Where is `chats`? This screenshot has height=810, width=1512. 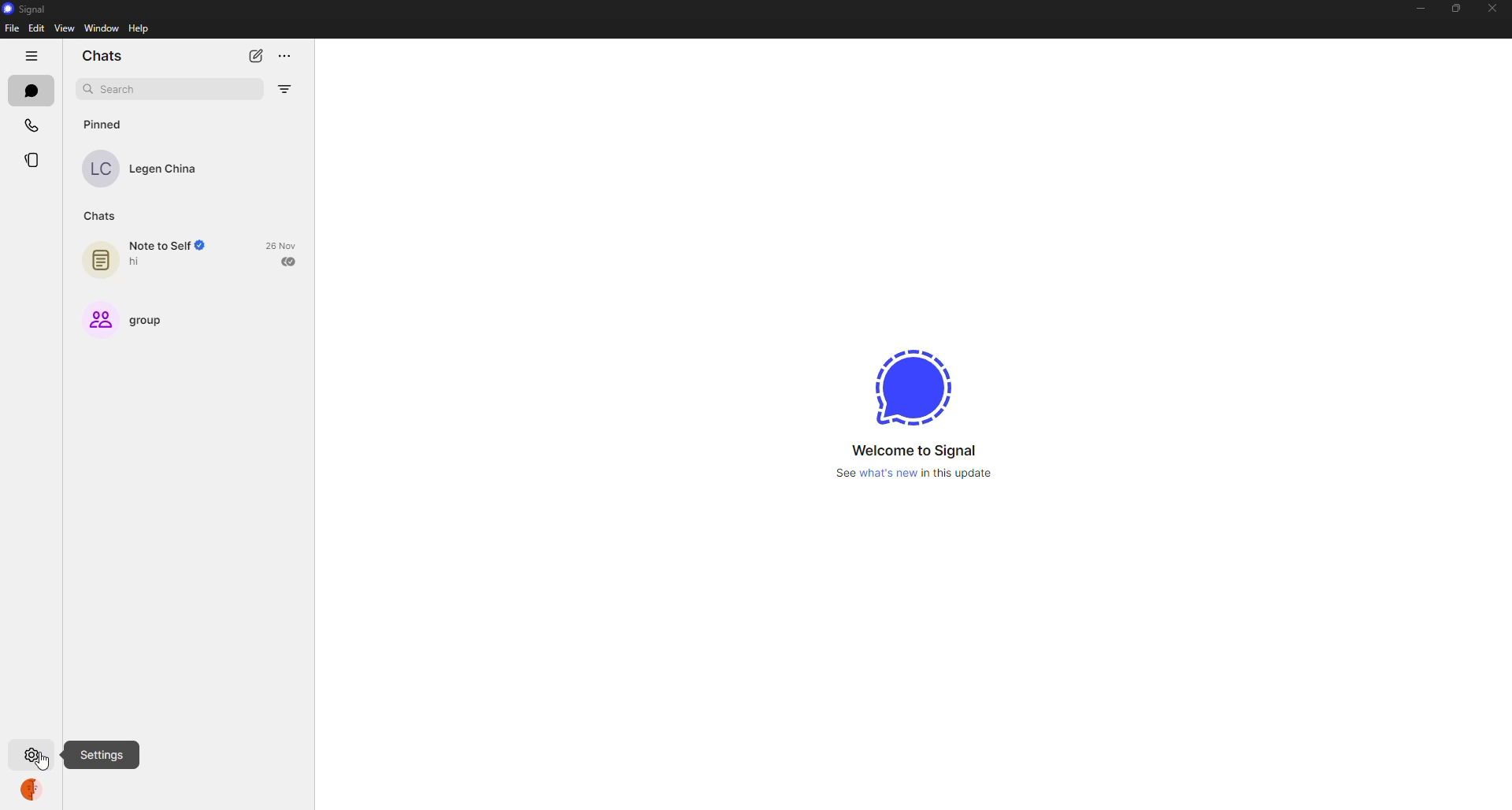
chats is located at coordinates (102, 215).